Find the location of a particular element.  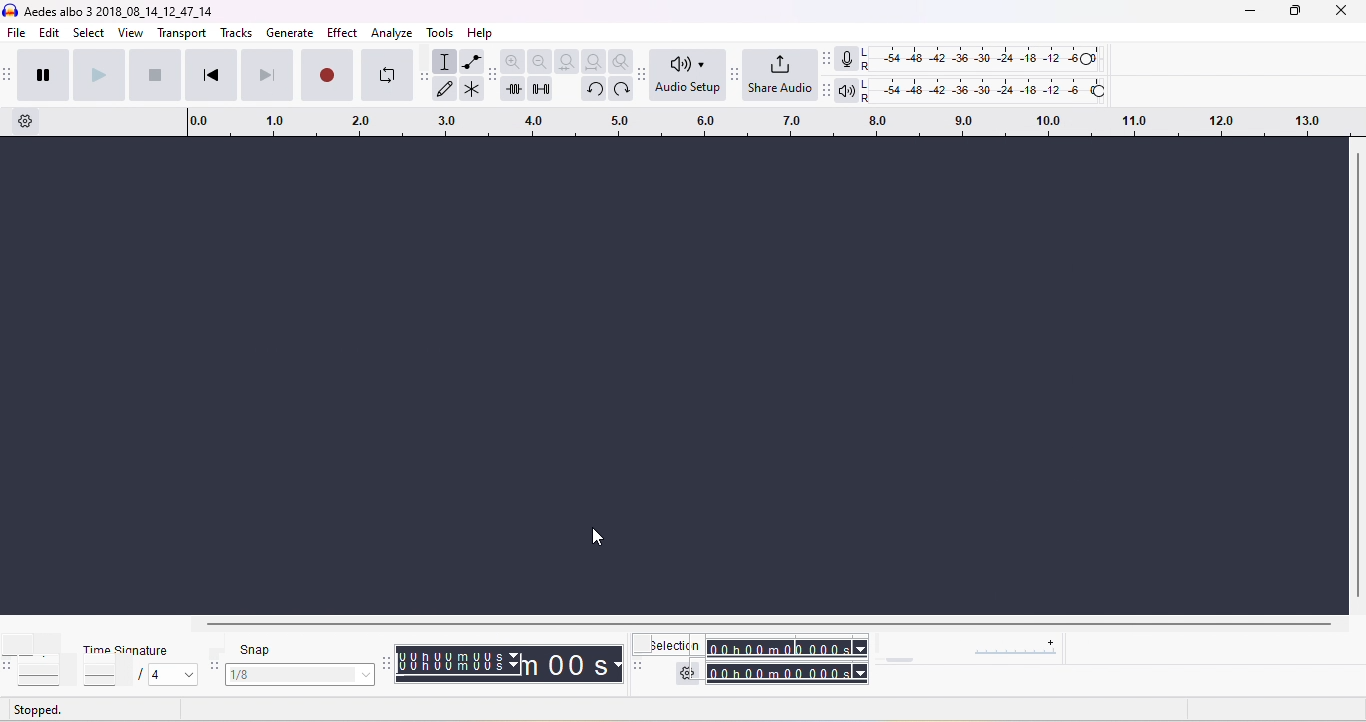

L is located at coordinates (869, 85).